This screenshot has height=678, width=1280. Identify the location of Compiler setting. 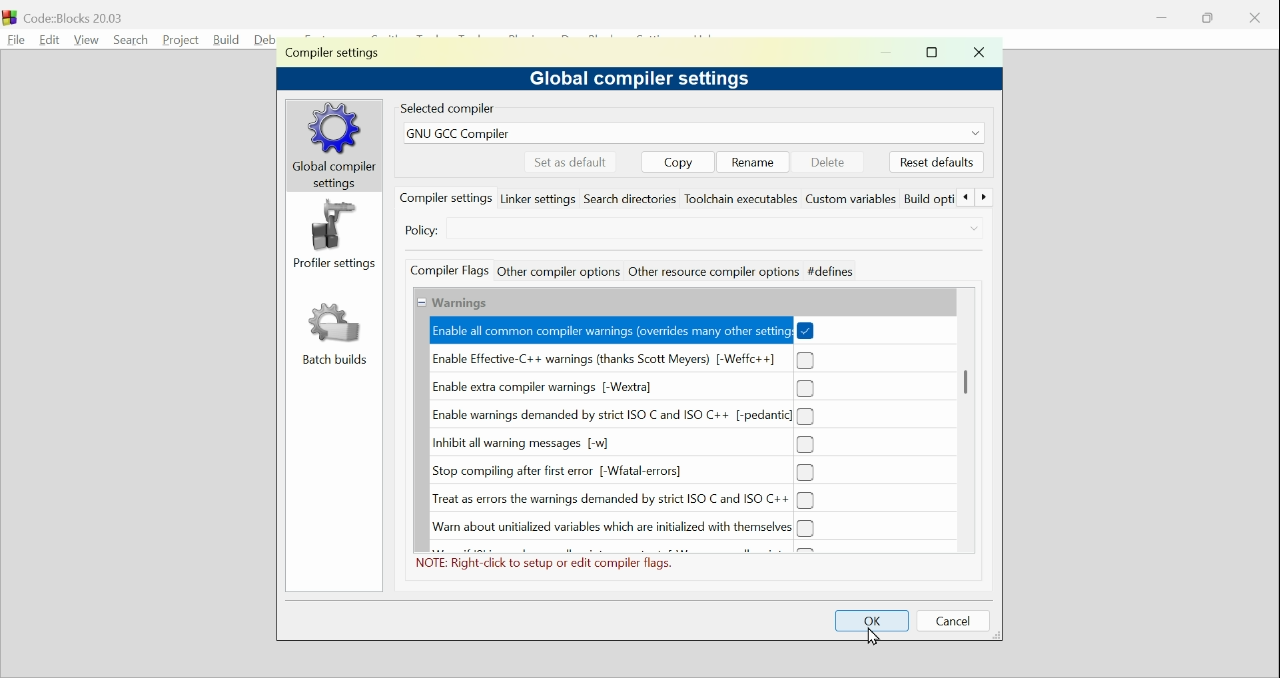
(338, 54).